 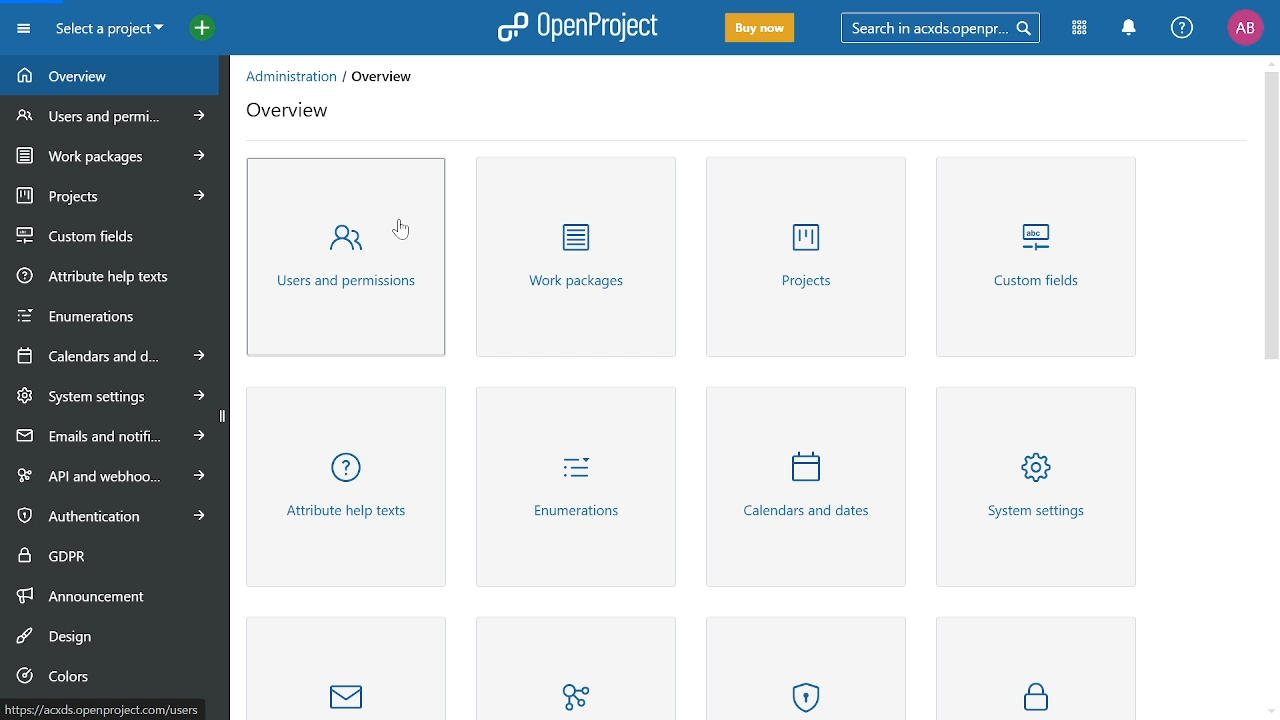 I want to click on overview, so click(x=295, y=110).